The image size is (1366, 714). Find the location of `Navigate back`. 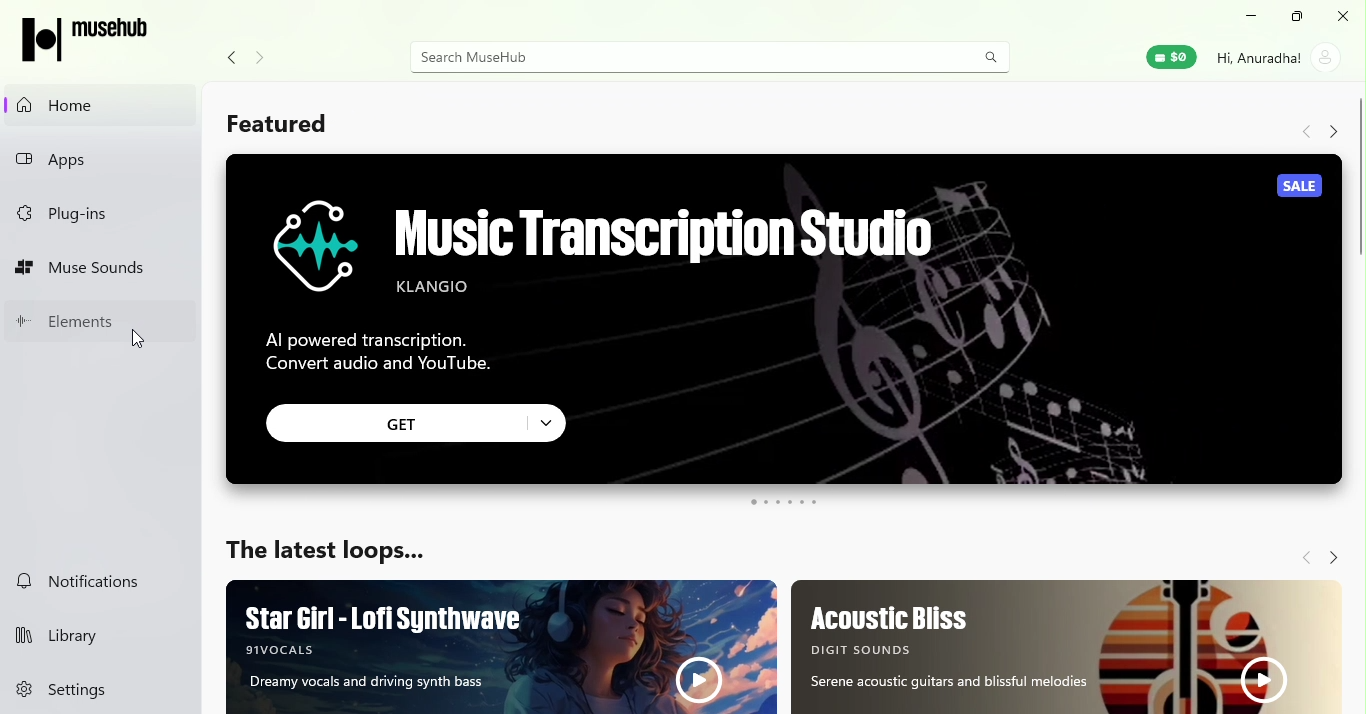

Navigate back is located at coordinates (1302, 130).